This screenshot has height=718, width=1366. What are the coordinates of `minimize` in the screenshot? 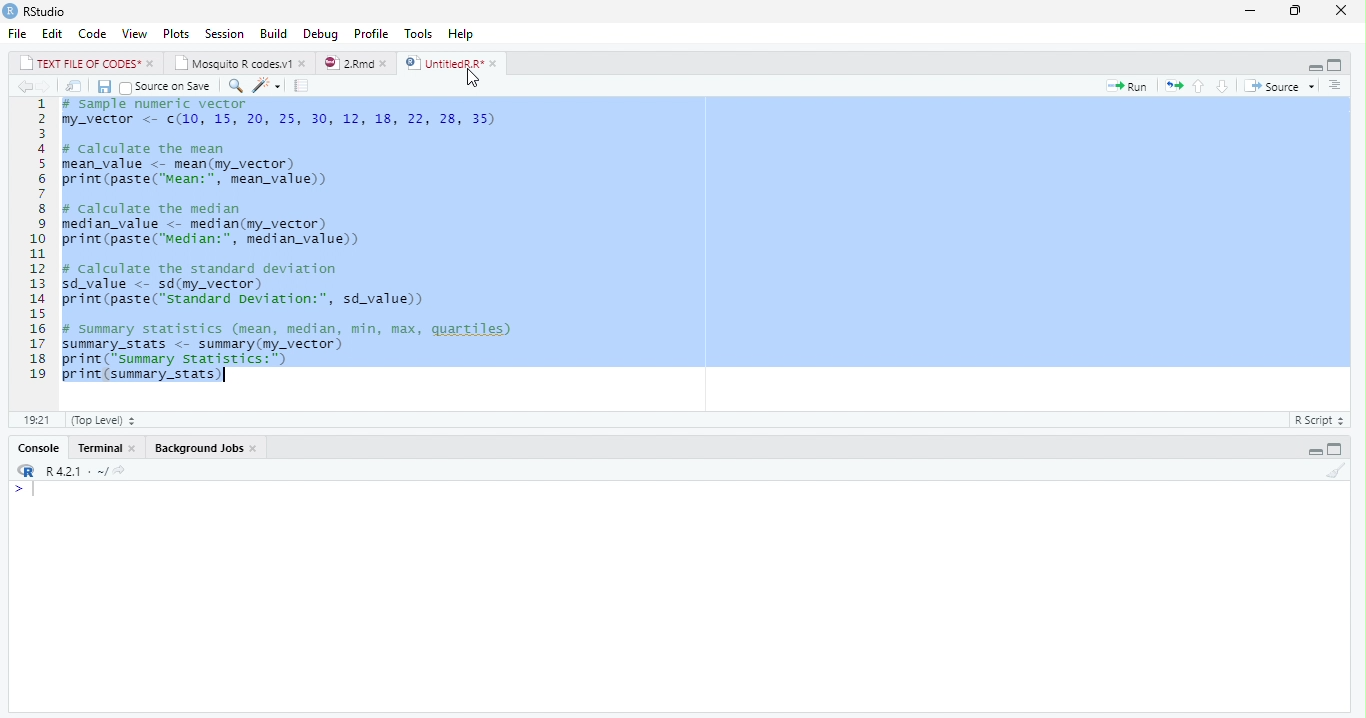 It's located at (1314, 451).